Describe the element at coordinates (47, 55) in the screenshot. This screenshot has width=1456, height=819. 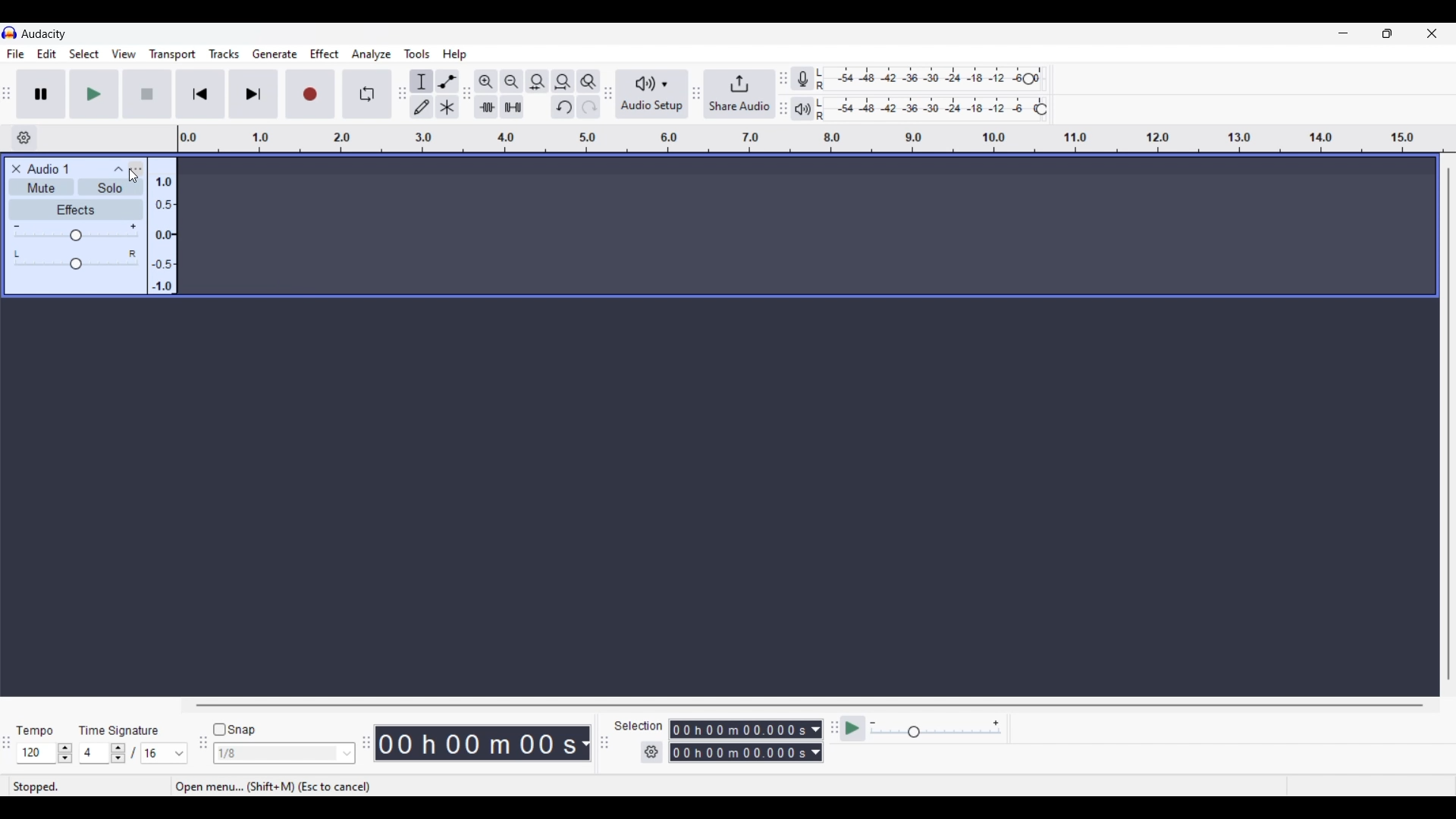
I see `Edit menu` at that location.